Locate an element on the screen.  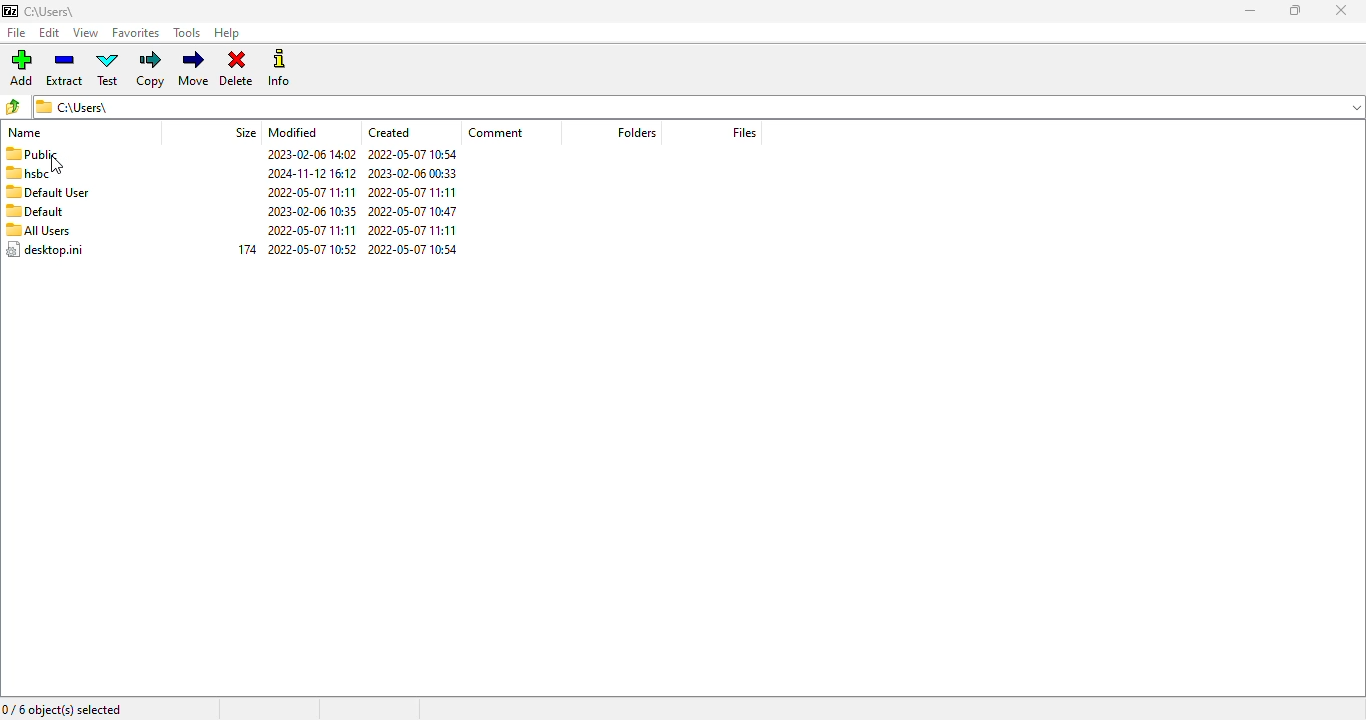
view is located at coordinates (85, 33).